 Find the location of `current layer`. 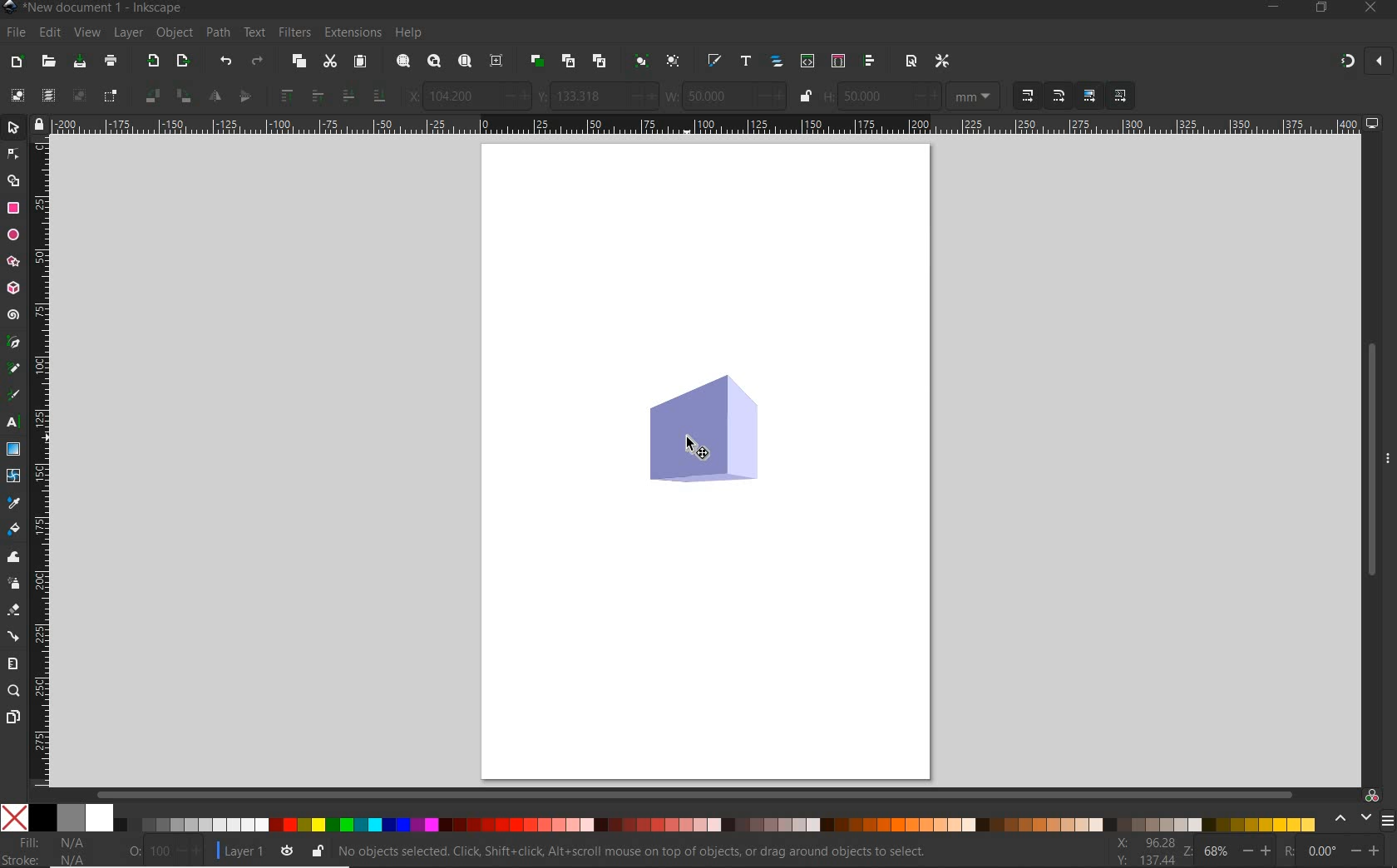

current layer is located at coordinates (244, 851).